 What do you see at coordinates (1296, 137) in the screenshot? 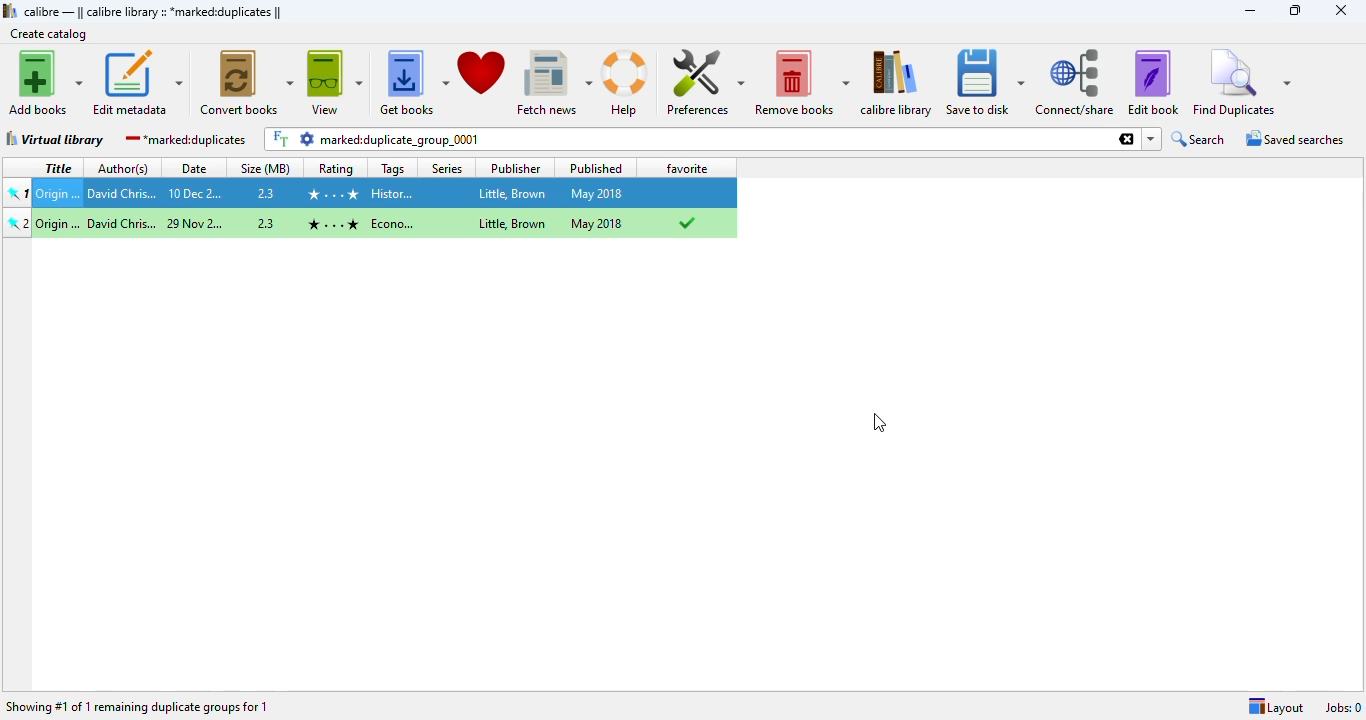
I see `saved searches` at bounding box center [1296, 137].